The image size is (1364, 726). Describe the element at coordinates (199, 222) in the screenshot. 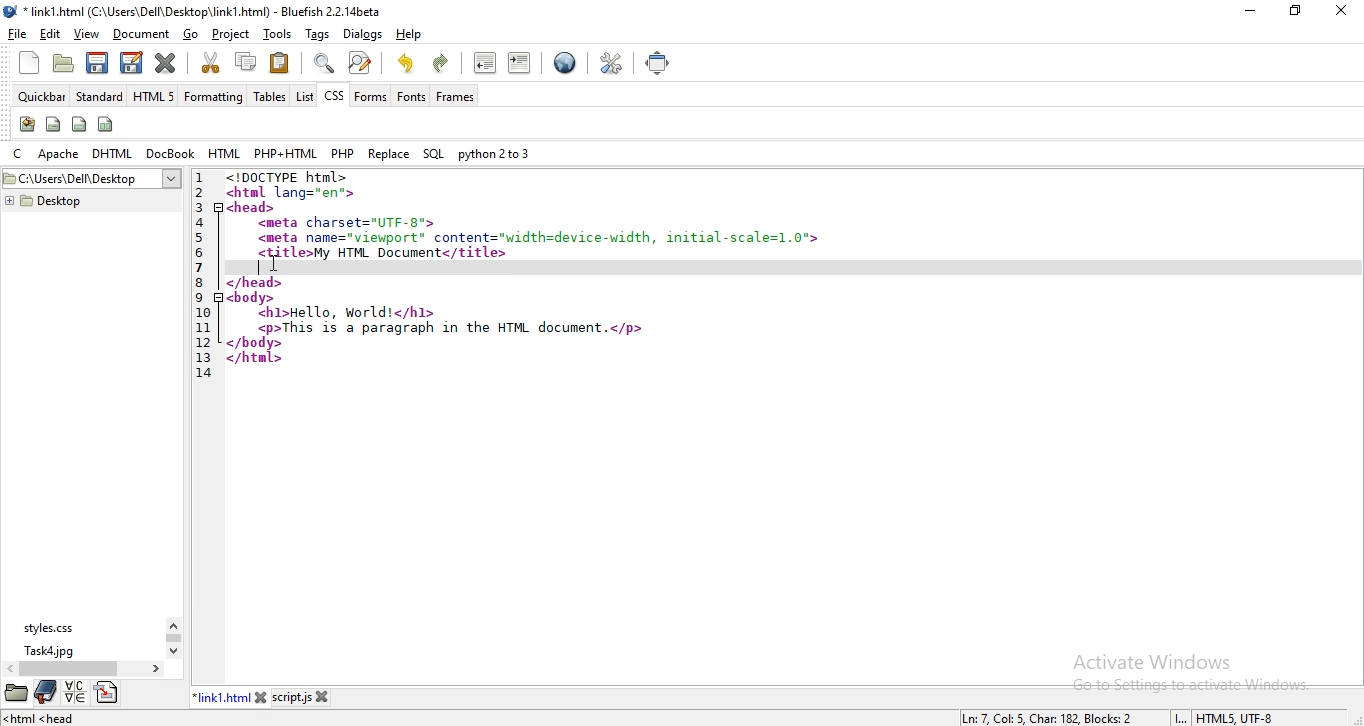

I see `4` at that location.